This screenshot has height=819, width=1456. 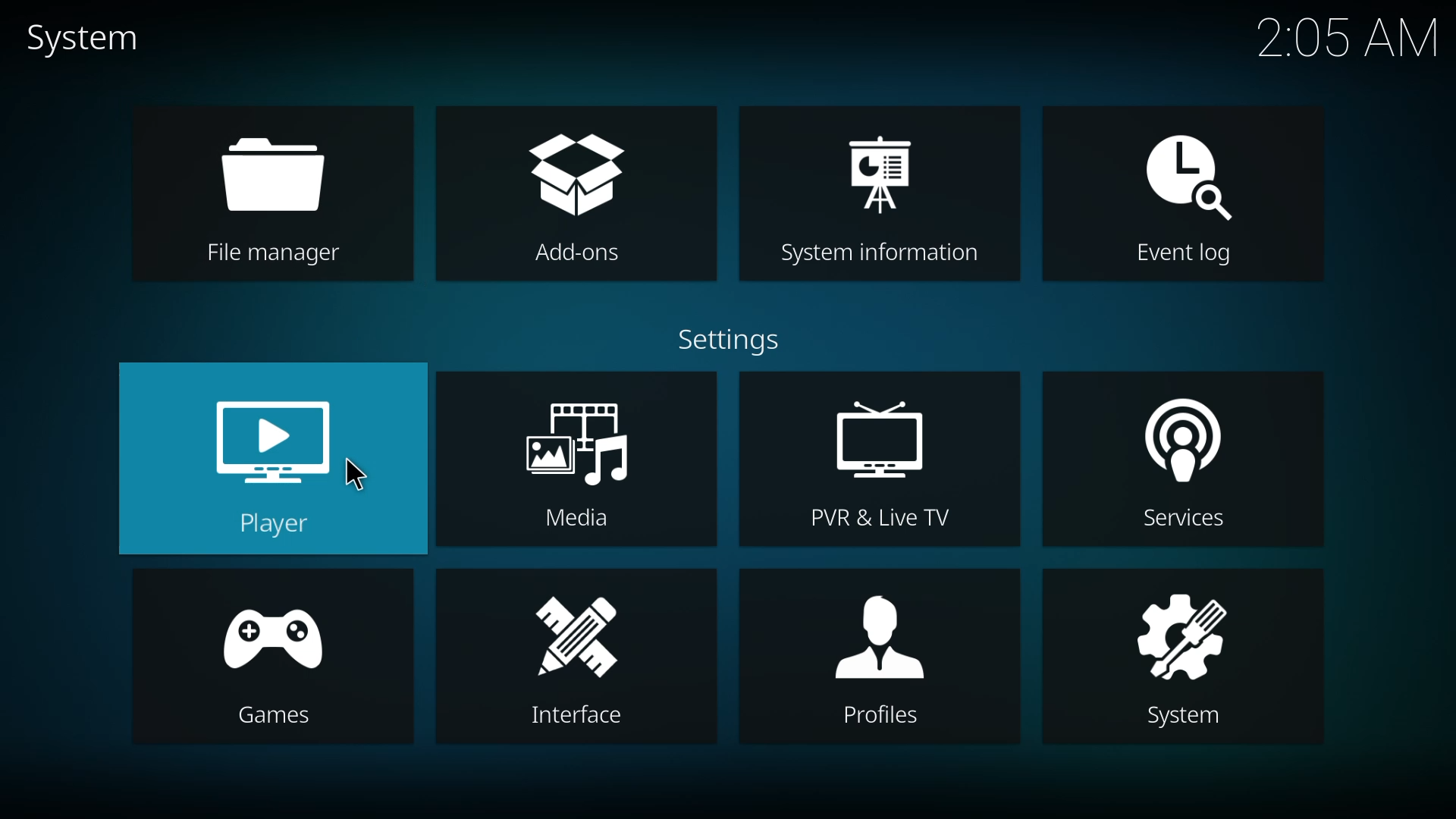 What do you see at coordinates (279, 195) in the screenshot?
I see `file manager` at bounding box center [279, 195].